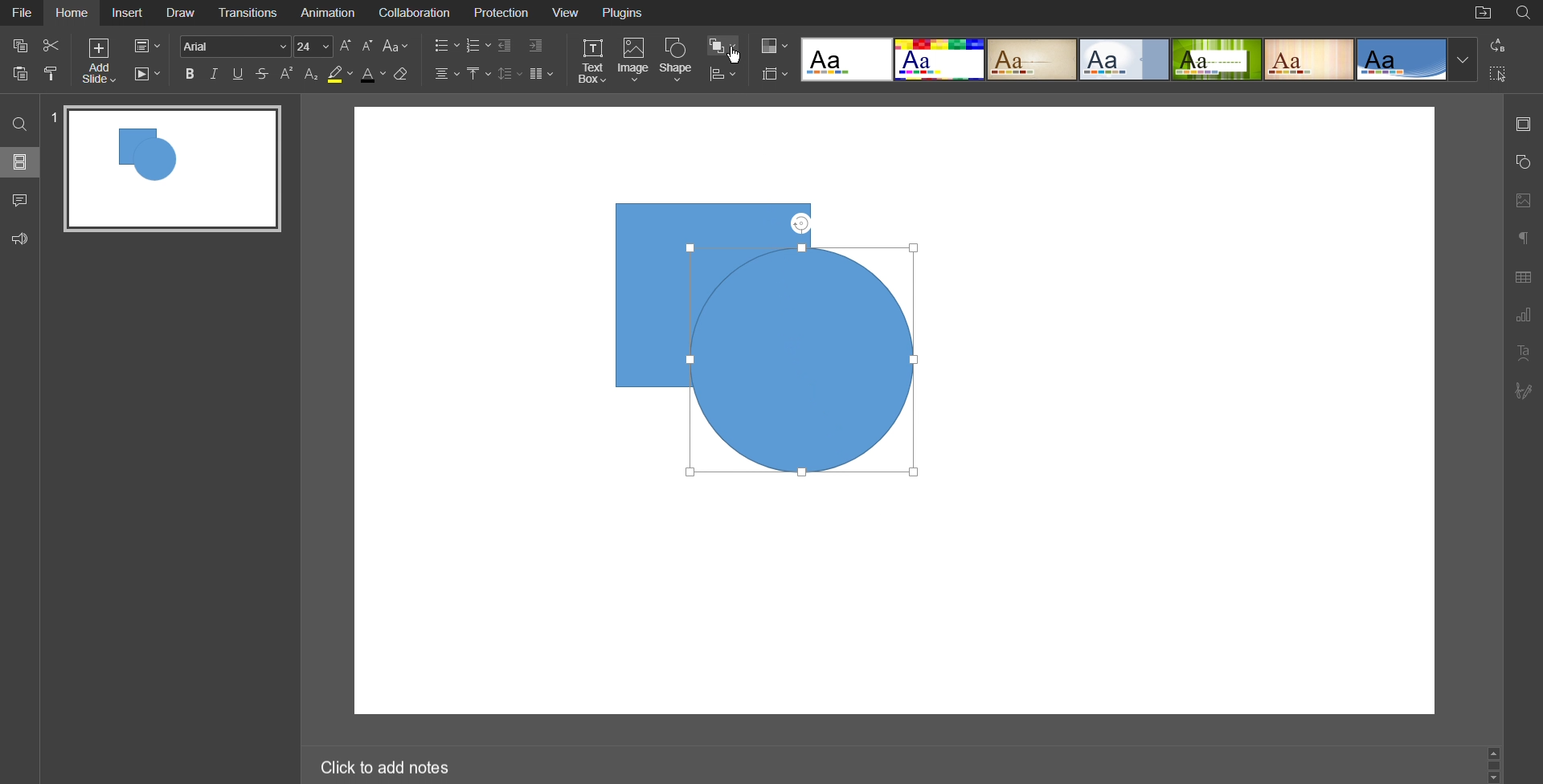 This screenshot has height=784, width=1543. I want to click on Basic, so click(940, 59).